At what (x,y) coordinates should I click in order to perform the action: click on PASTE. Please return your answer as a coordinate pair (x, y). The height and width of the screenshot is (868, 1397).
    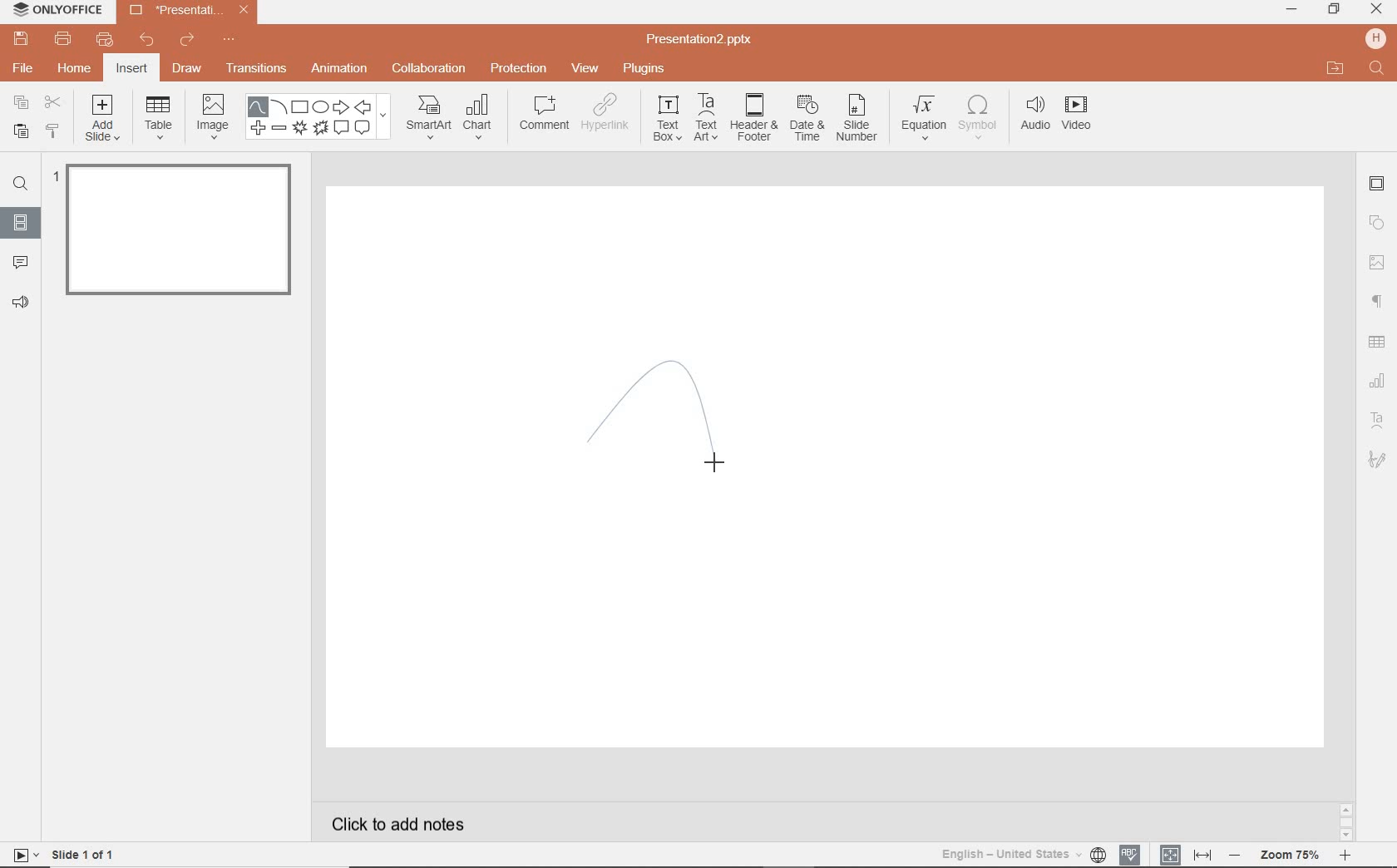
    Looking at the image, I should click on (19, 131).